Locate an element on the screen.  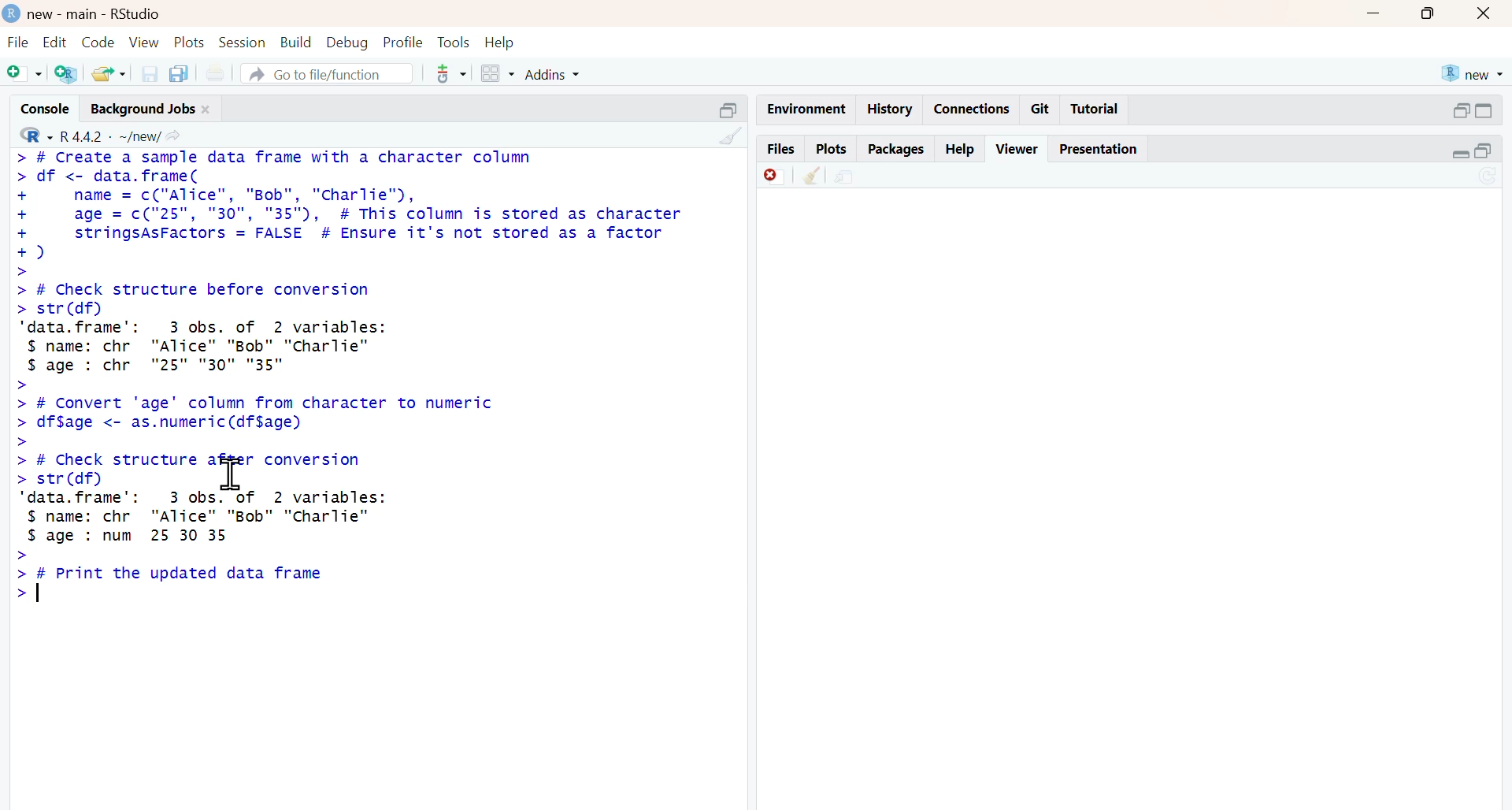
 is located at coordinates (730, 111).